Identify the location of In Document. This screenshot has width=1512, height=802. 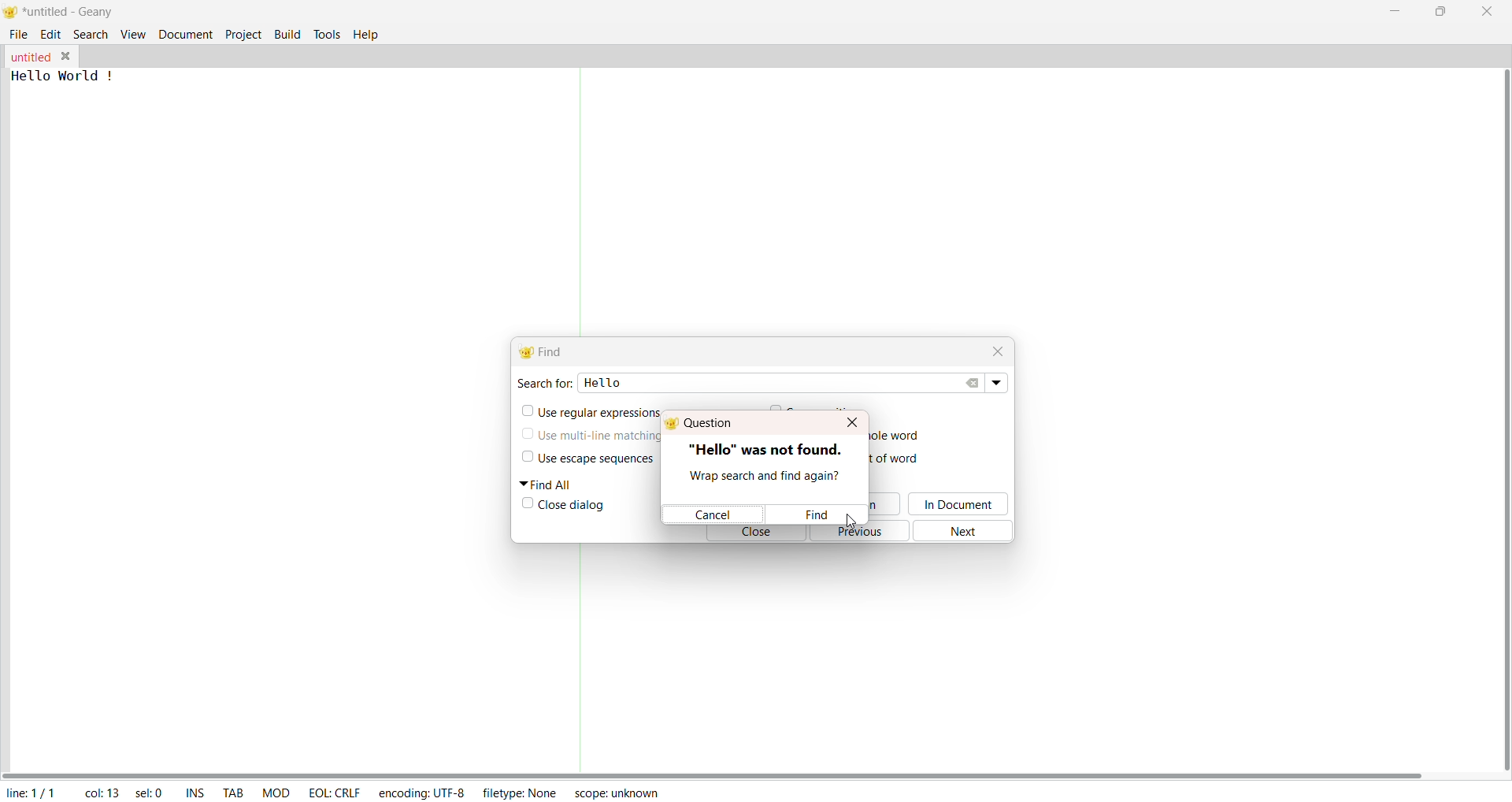
(962, 504).